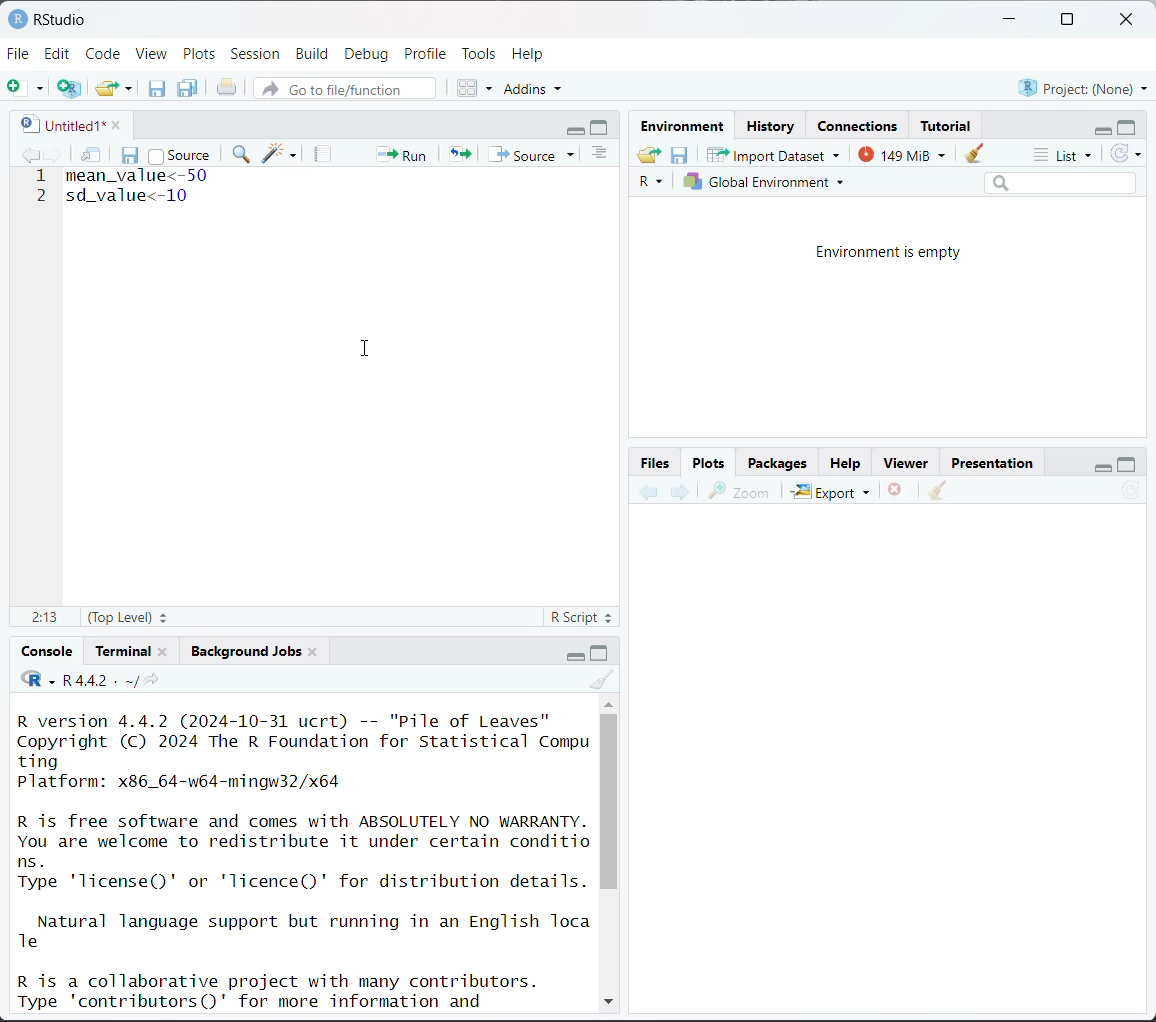  What do you see at coordinates (832, 491) in the screenshot?
I see `Export` at bounding box center [832, 491].